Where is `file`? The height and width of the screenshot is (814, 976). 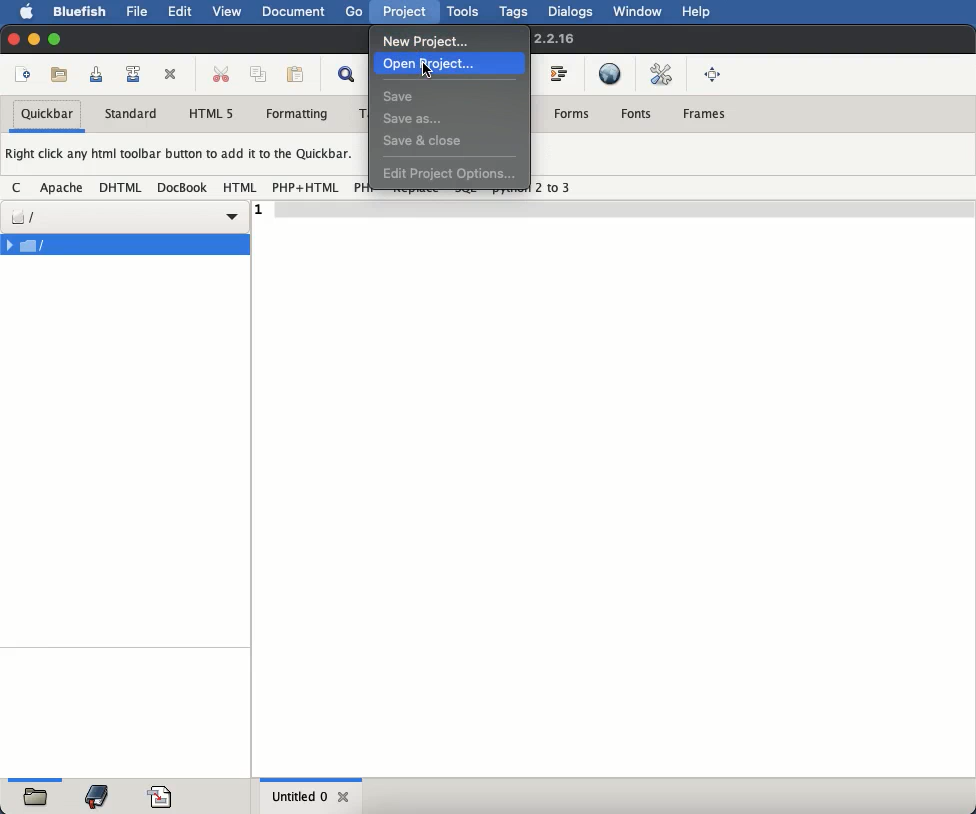 file is located at coordinates (123, 218).